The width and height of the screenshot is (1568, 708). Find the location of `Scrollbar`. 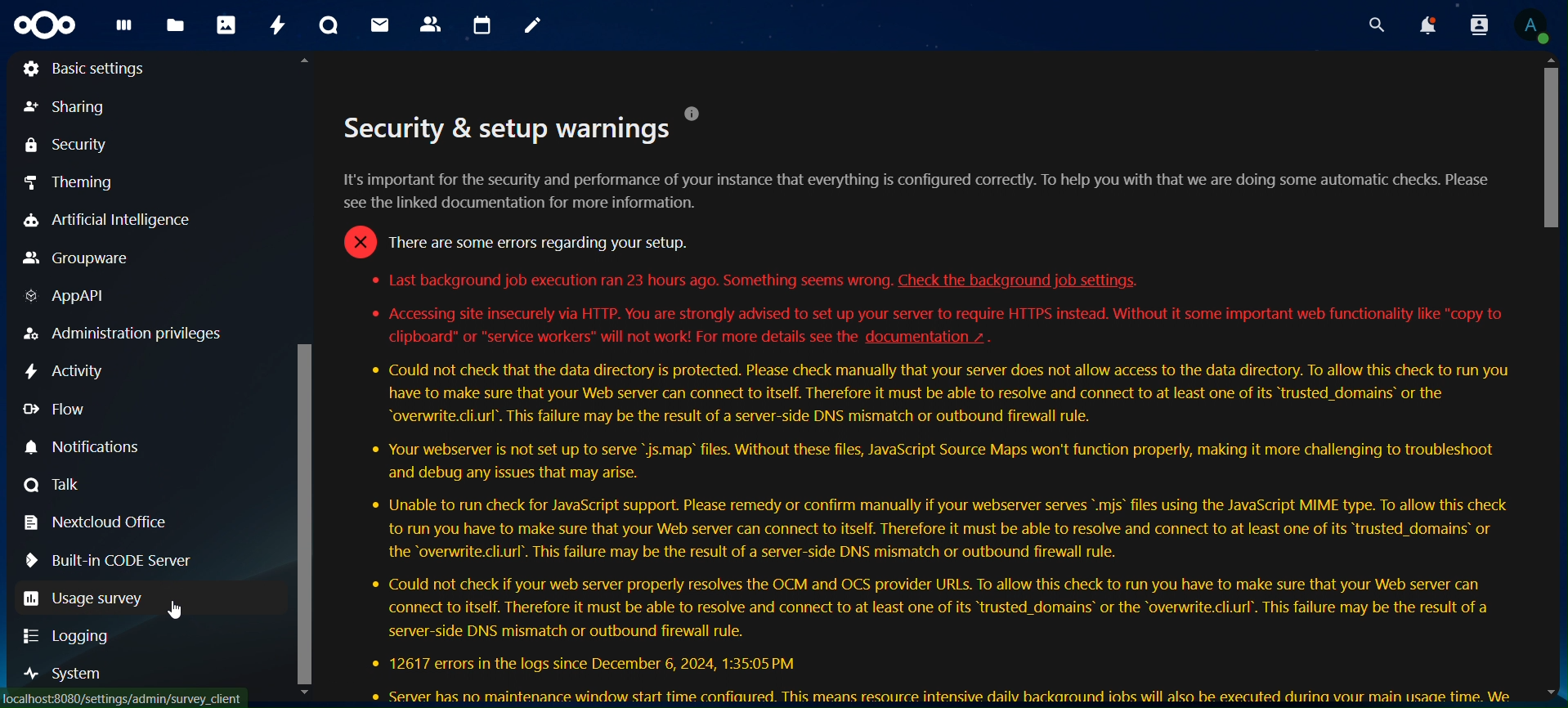

Scrollbar is located at coordinates (307, 379).